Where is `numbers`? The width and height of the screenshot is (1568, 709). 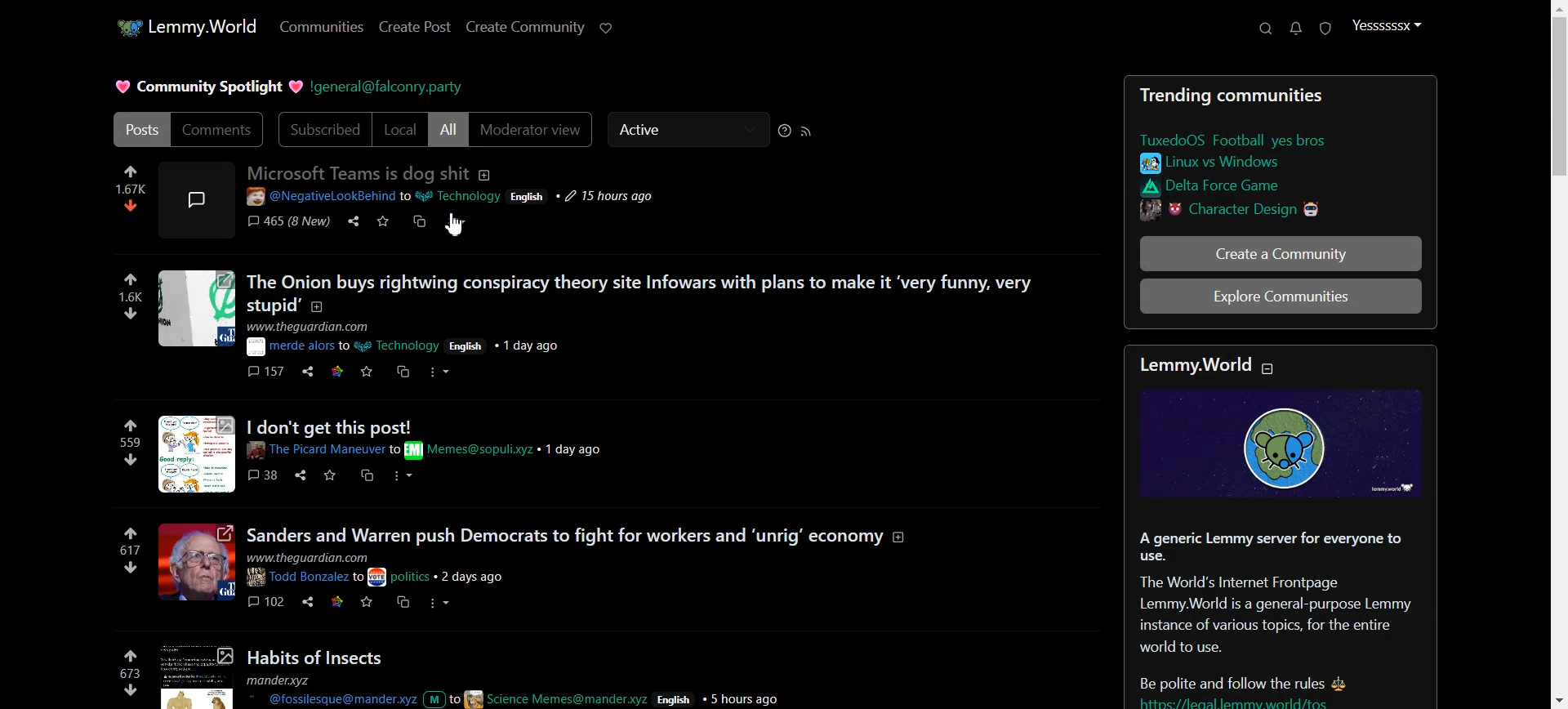 numbers is located at coordinates (131, 187).